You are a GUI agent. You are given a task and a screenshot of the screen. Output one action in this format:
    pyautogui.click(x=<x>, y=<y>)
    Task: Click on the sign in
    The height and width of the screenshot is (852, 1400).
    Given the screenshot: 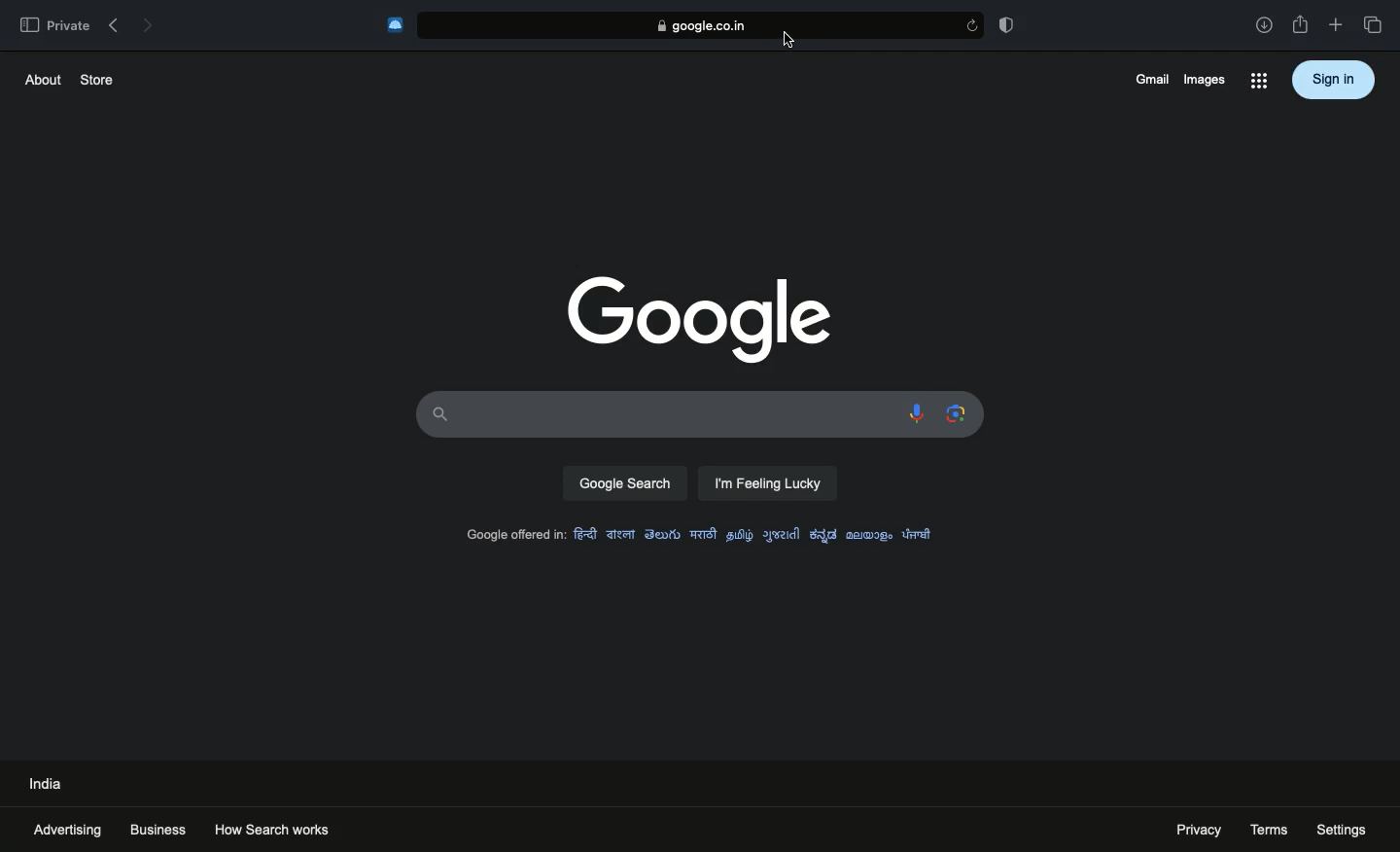 What is the action you would take?
    pyautogui.click(x=1334, y=79)
    